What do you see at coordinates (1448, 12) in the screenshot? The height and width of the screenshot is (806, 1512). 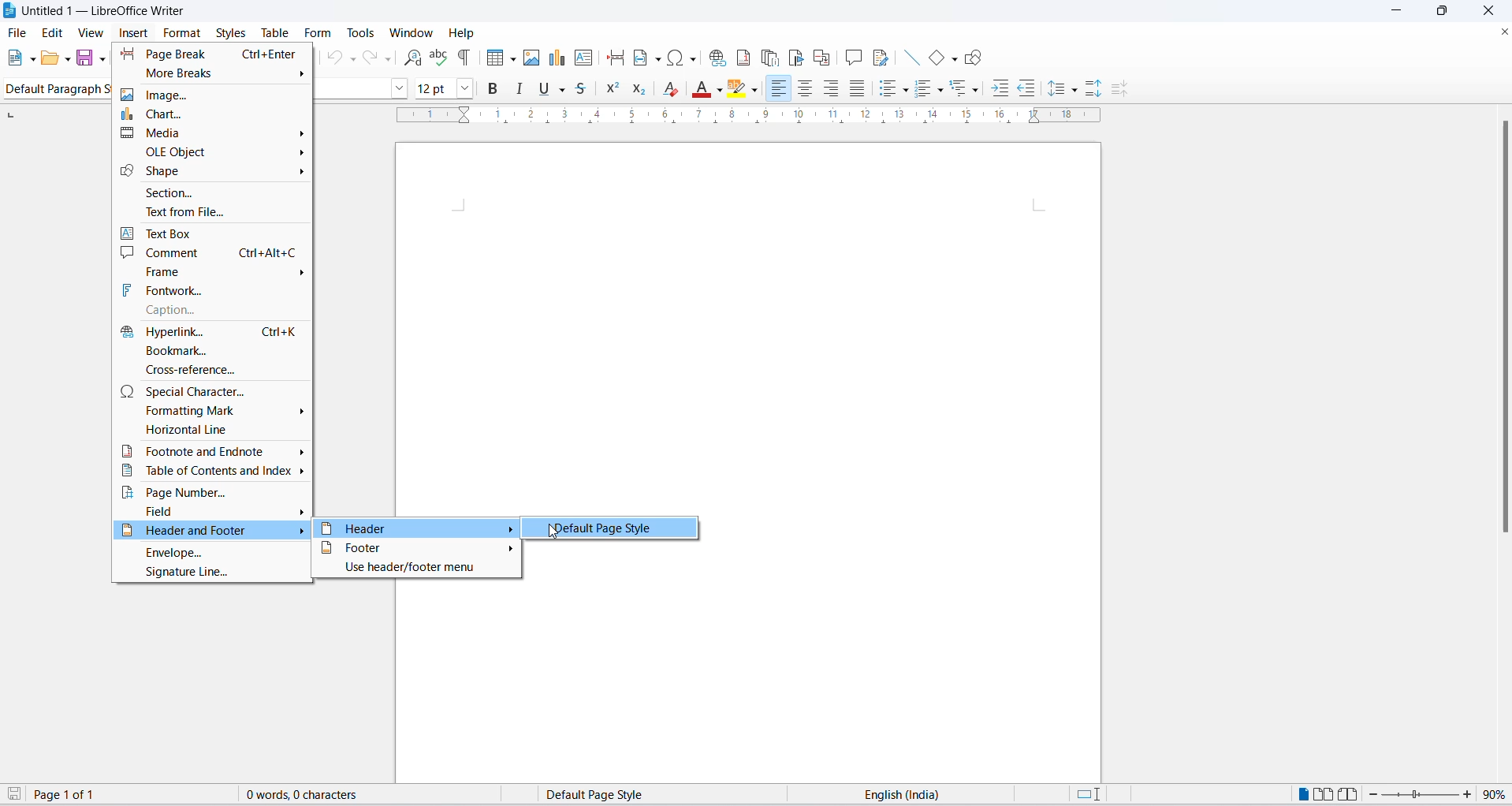 I see `maximize` at bounding box center [1448, 12].